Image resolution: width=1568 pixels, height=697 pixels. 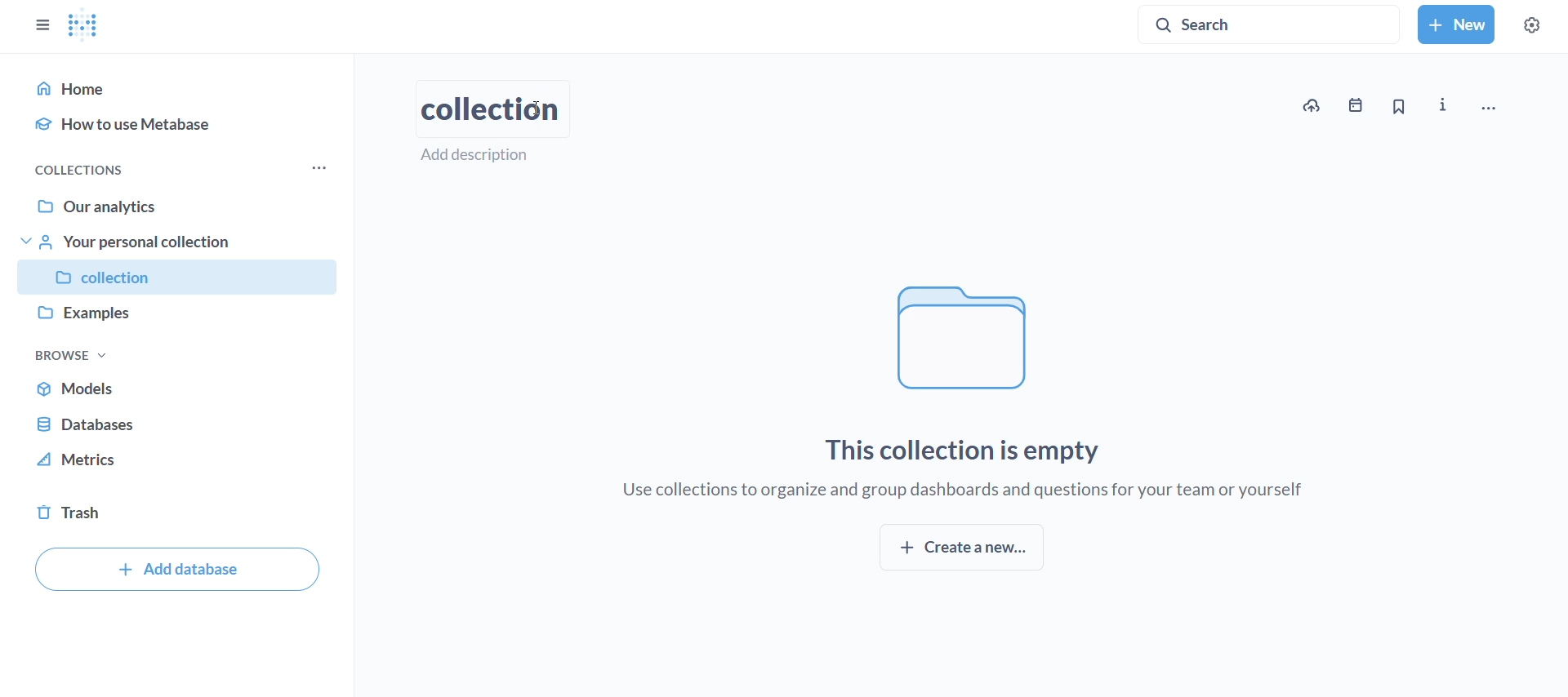 What do you see at coordinates (323, 168) in the screenshot?
I see `more` at bounding box center [323, 168].